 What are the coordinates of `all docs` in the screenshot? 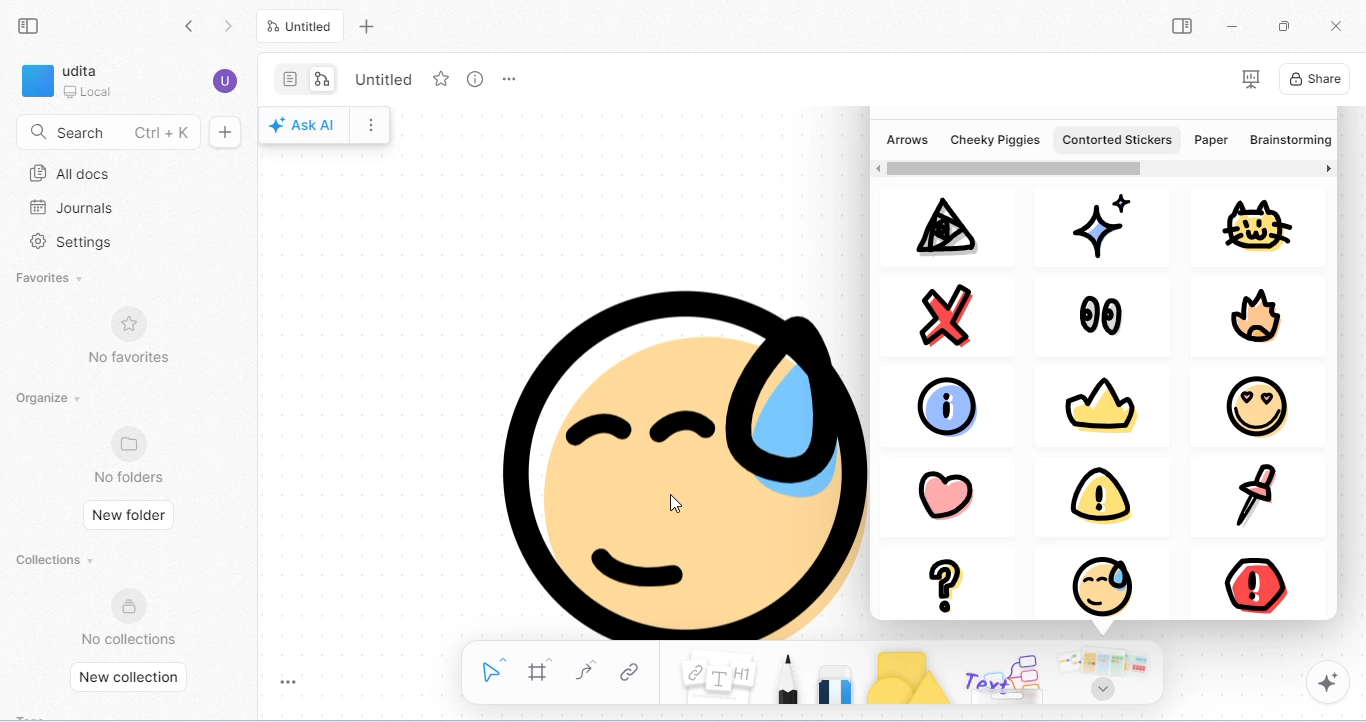 It's located at (71, 174).